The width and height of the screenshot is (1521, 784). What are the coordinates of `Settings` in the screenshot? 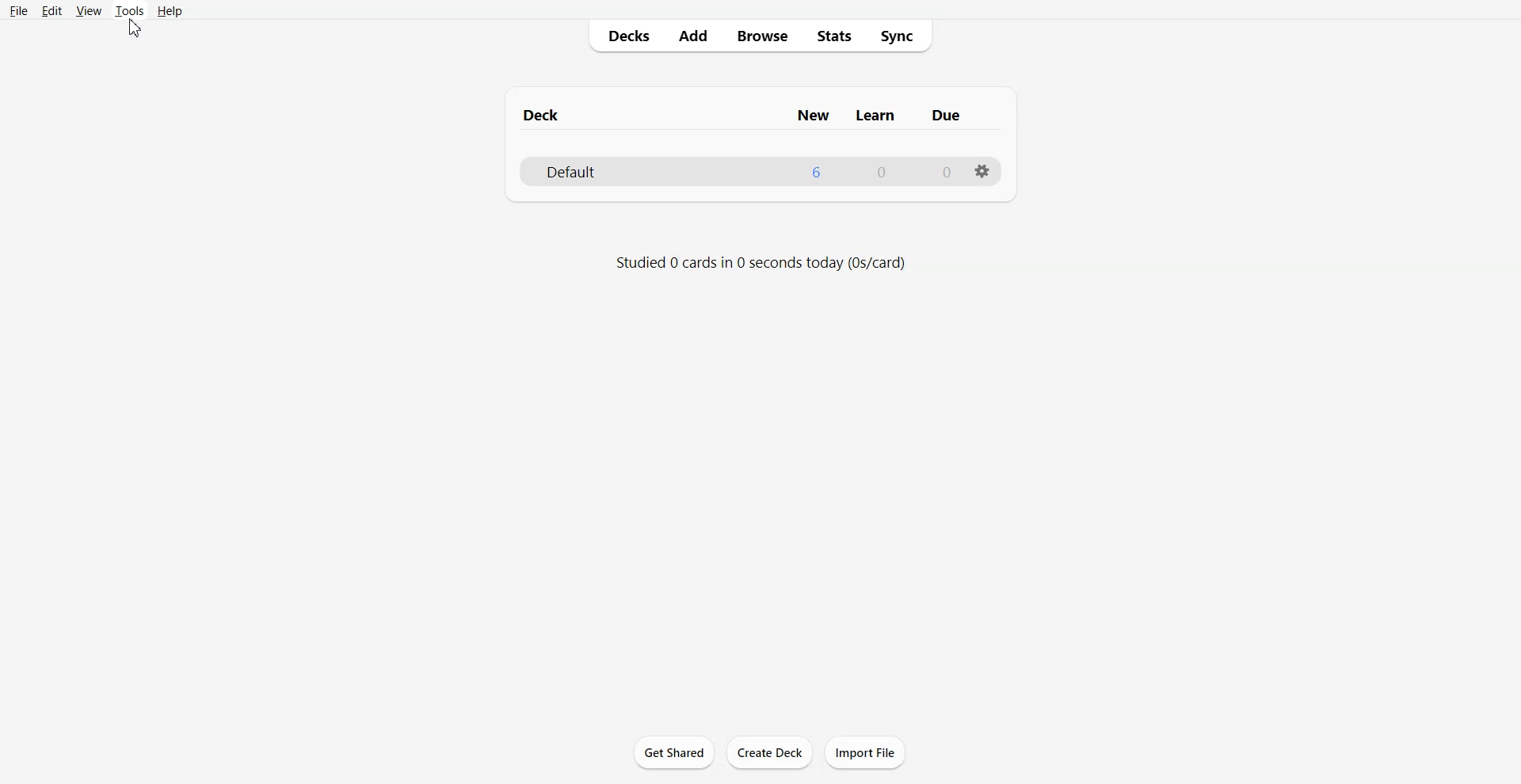 It's located at (982, 171).